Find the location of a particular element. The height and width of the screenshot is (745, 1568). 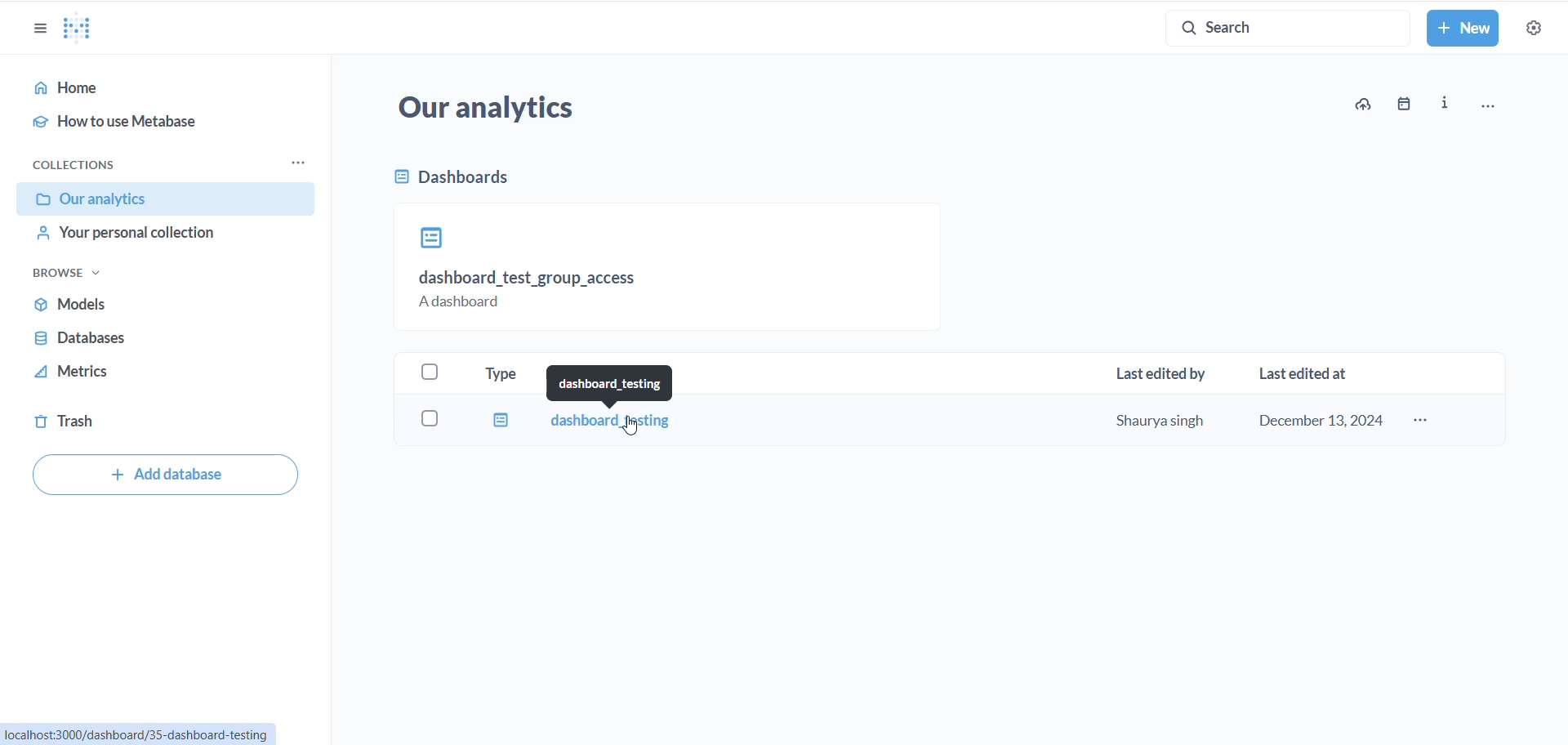

browse is located at coordinates (73, 274).